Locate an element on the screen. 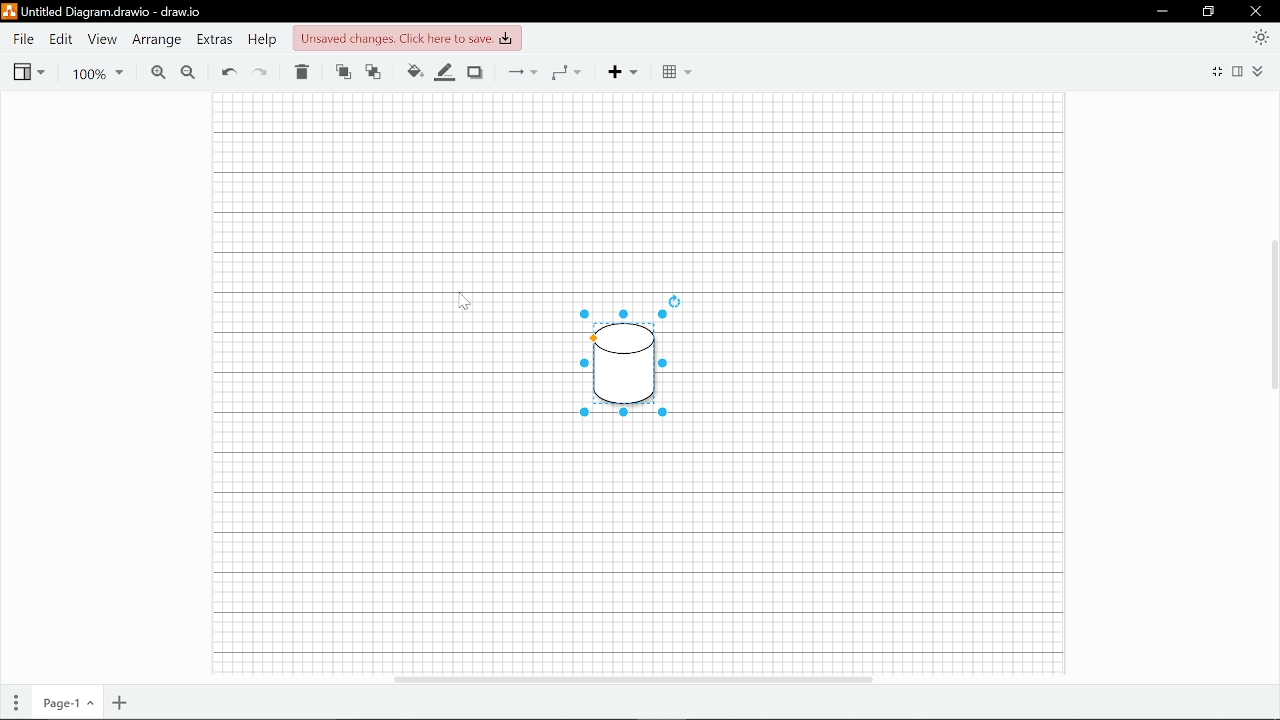 Image resolution: width=1280 pixels, height=720 pixels. Delete is located at coordinates (301, 73).